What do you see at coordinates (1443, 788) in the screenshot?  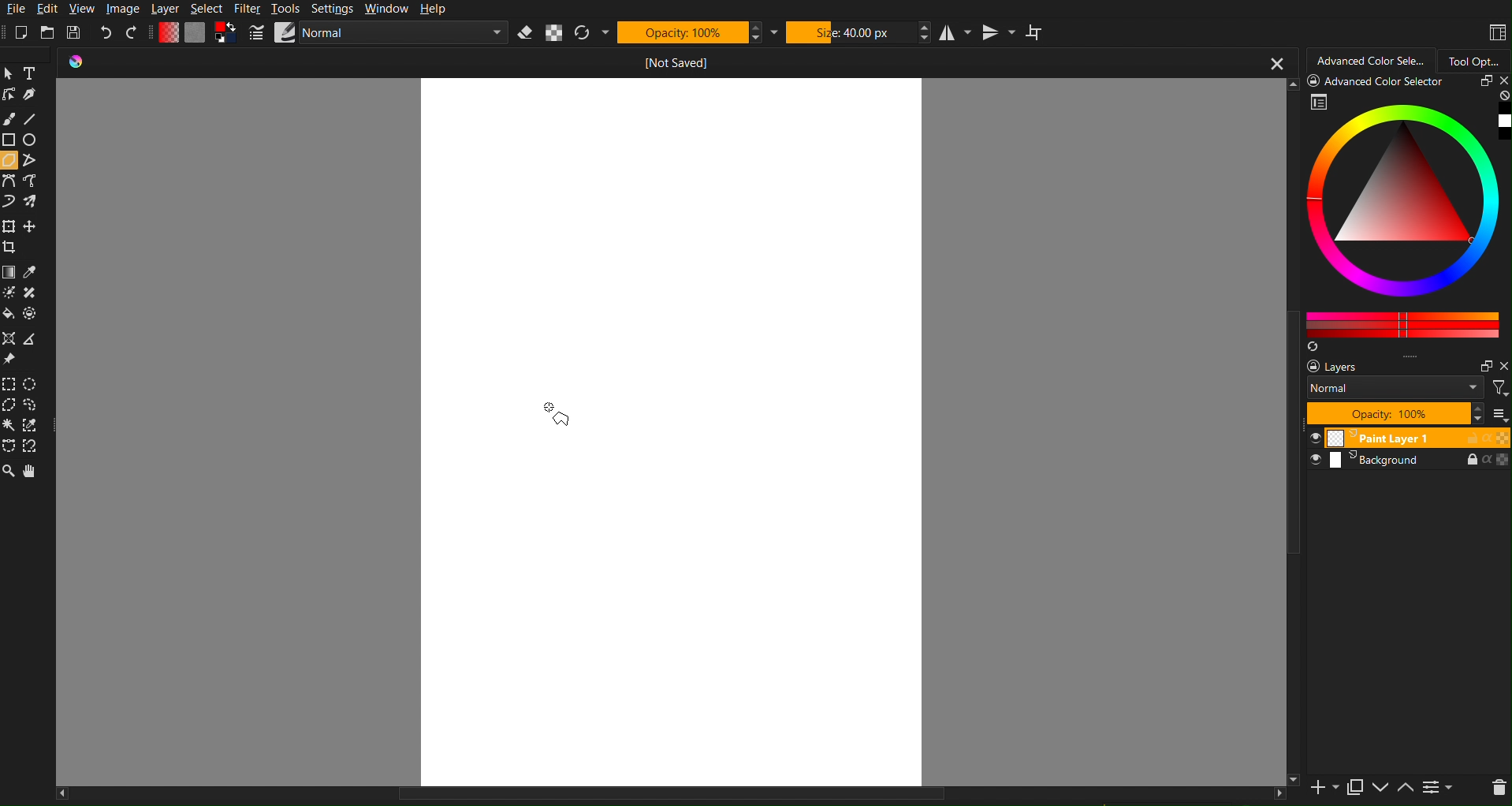 I see `view or change layer properties` at bounding box center [1443, 788].